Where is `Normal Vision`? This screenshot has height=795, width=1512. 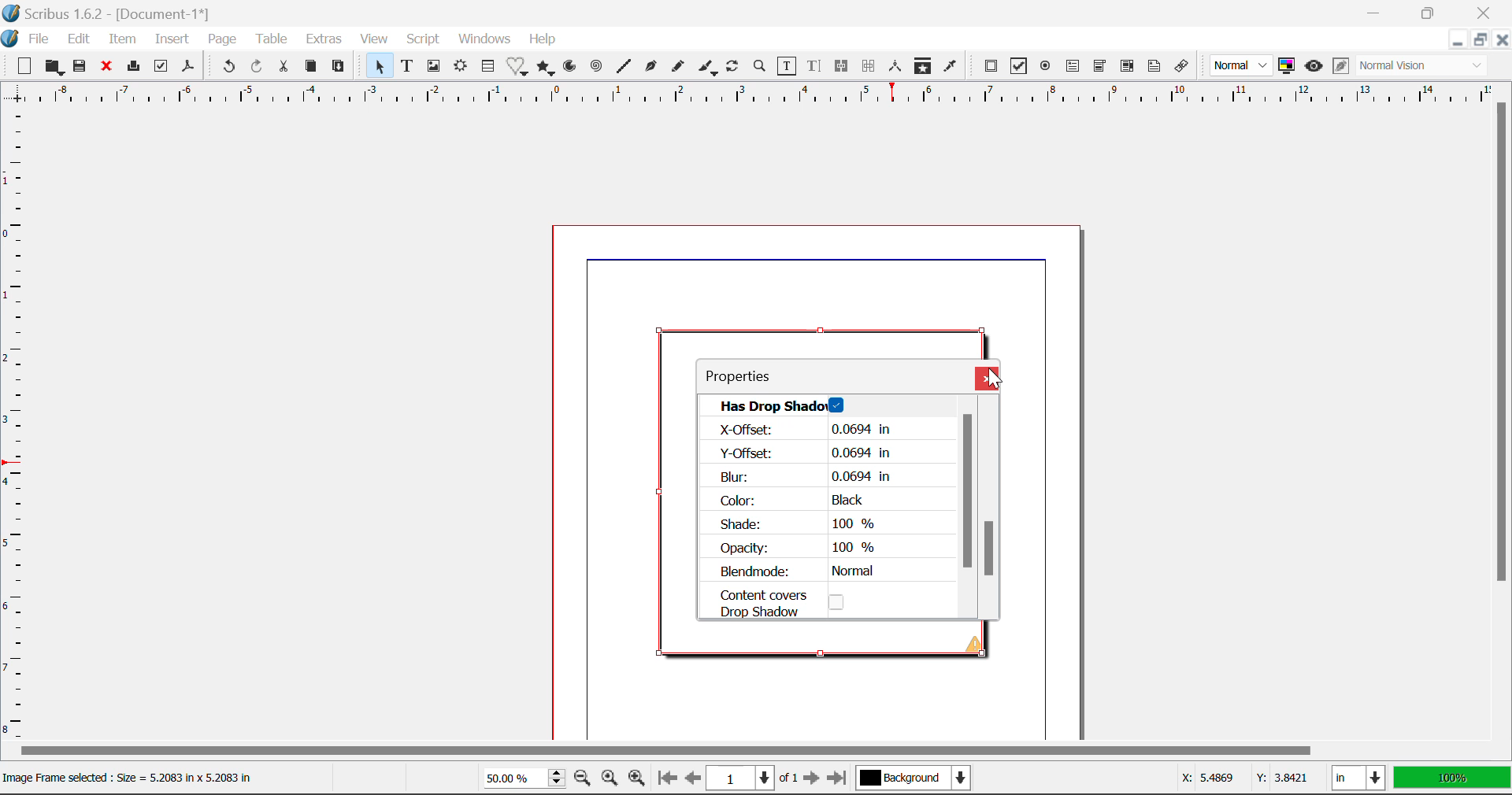
Normal Vision is located at coordinates (1422, 65).